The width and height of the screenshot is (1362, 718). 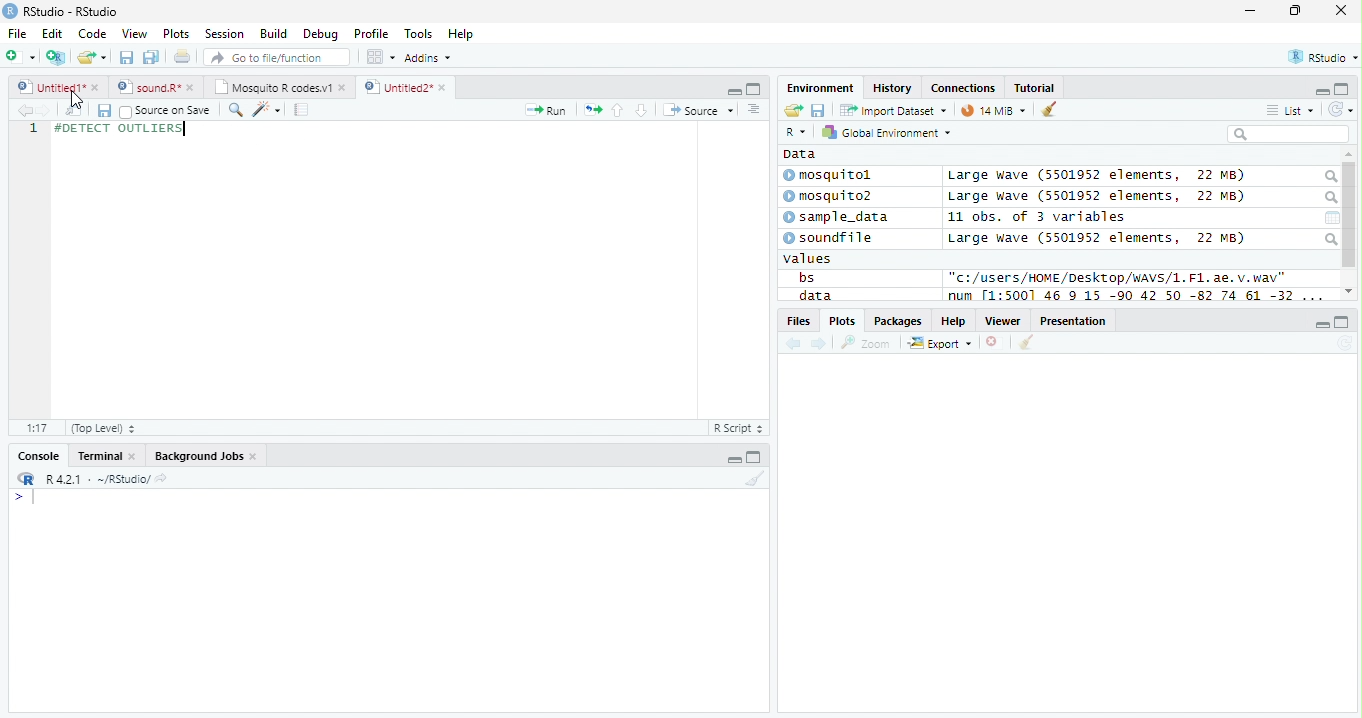 I want to click on Console, so click(x=35, y=455).